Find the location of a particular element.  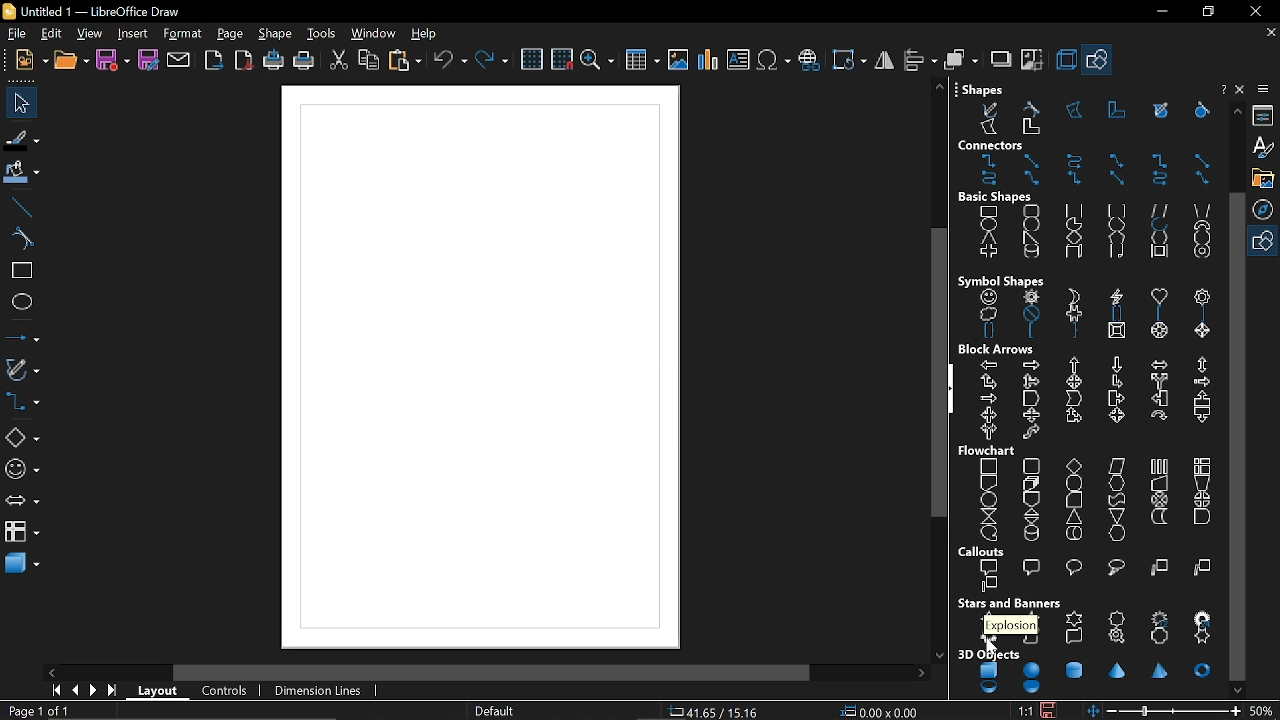

Insert chart is located at coordinates (707, 60).